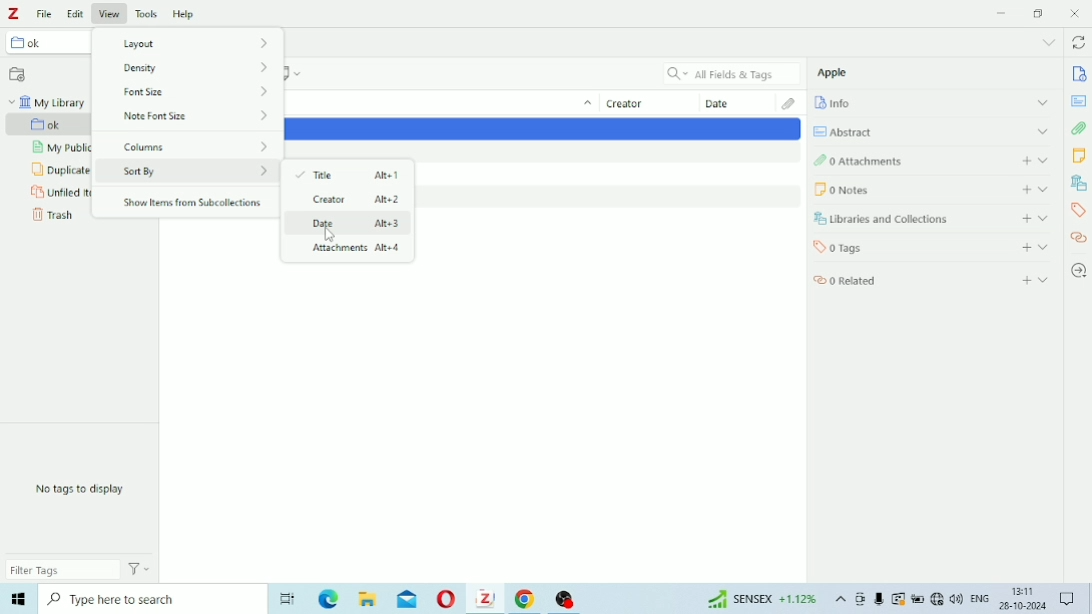  What do you see at coordinates (1040, 13) in the screenshot?
I see `restore down` at bounding box center [1040, 13].